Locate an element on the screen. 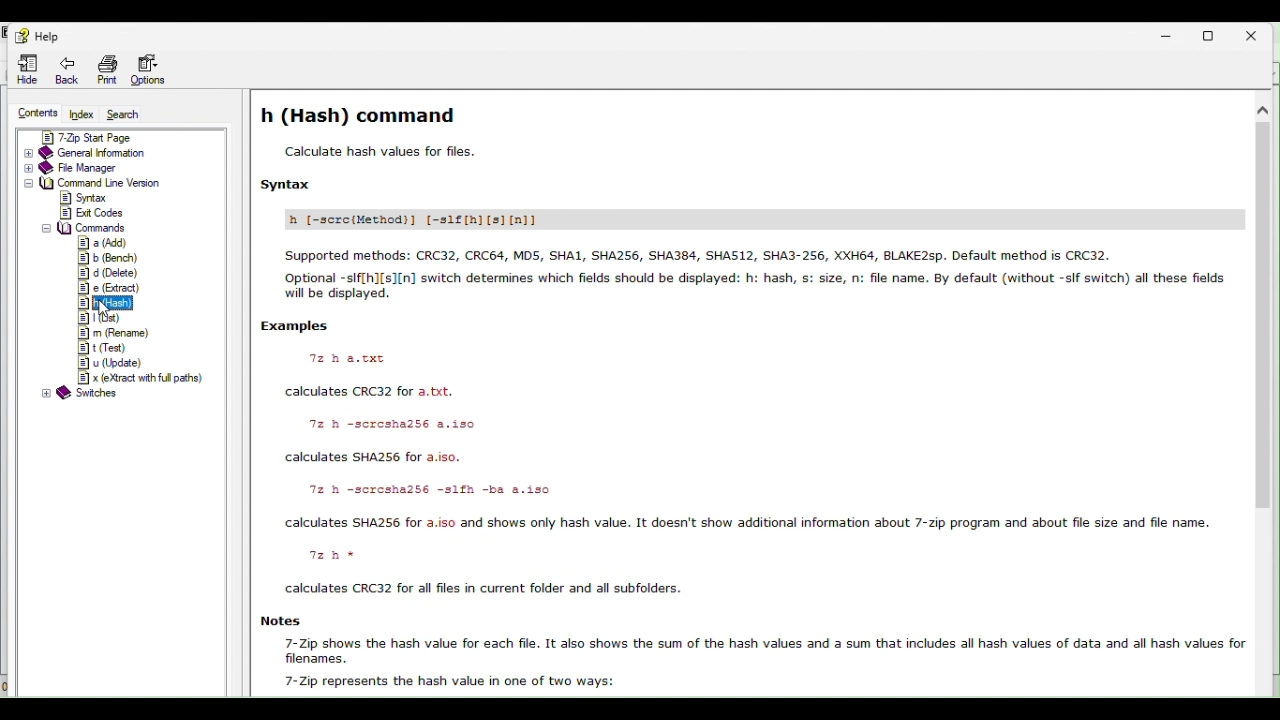 The height and width of the screenshot is (720, 1280). Minimise is located at coordinates (1172, 31).